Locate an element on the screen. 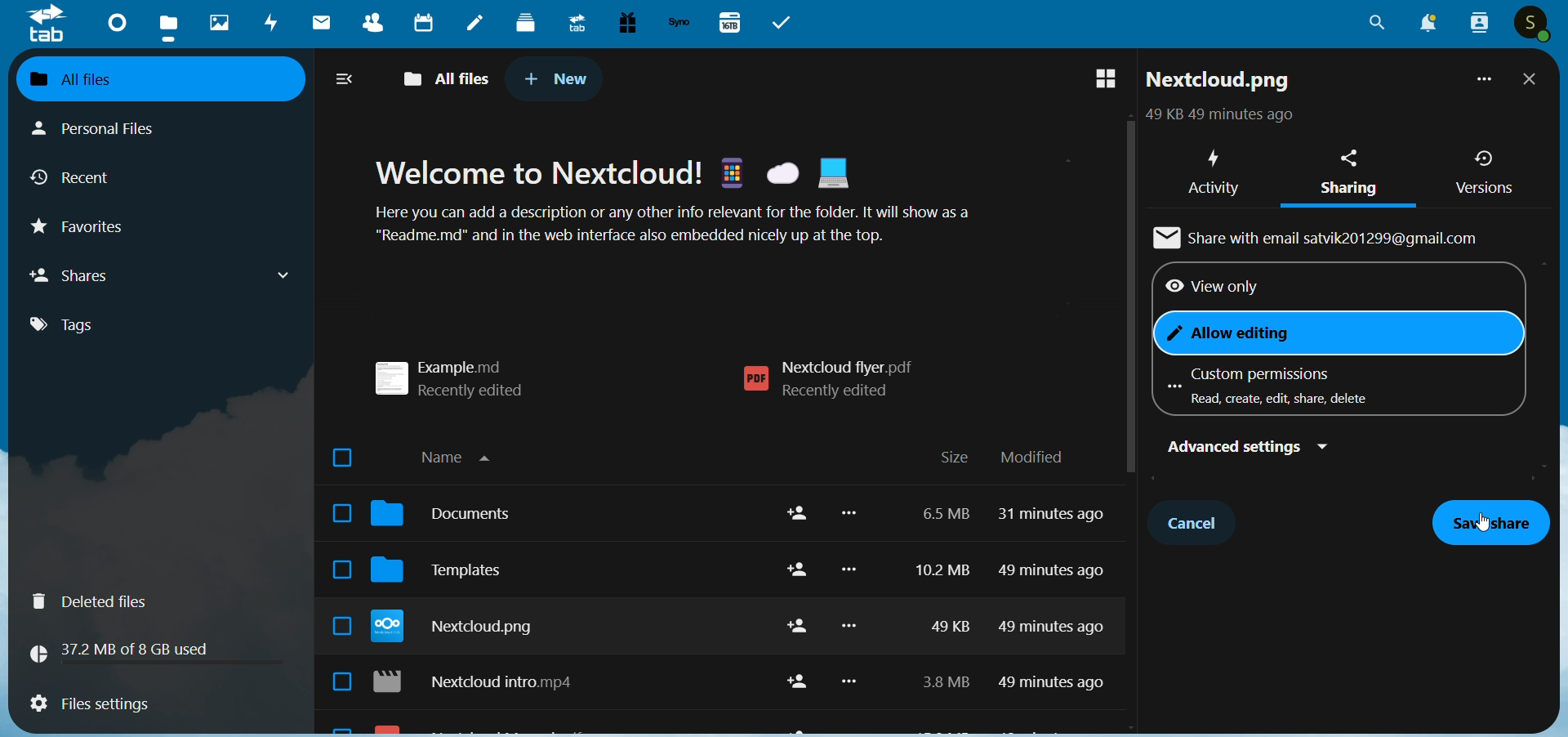 The width and height of the screenshot is (1568, 737). activity is located at coordinates (1211, 168).